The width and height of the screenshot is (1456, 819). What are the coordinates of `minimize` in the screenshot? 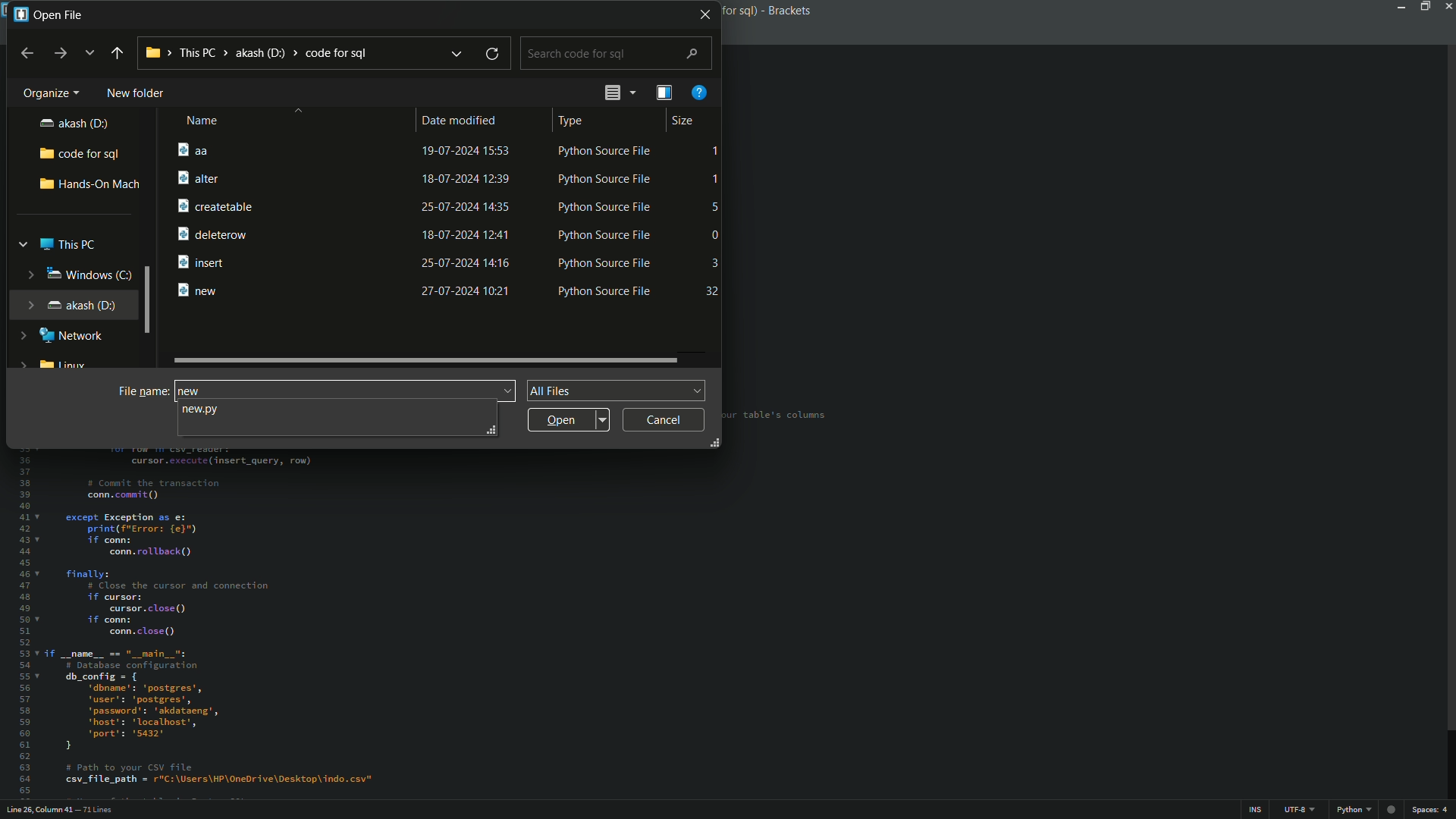 It's located at (1401, 6).